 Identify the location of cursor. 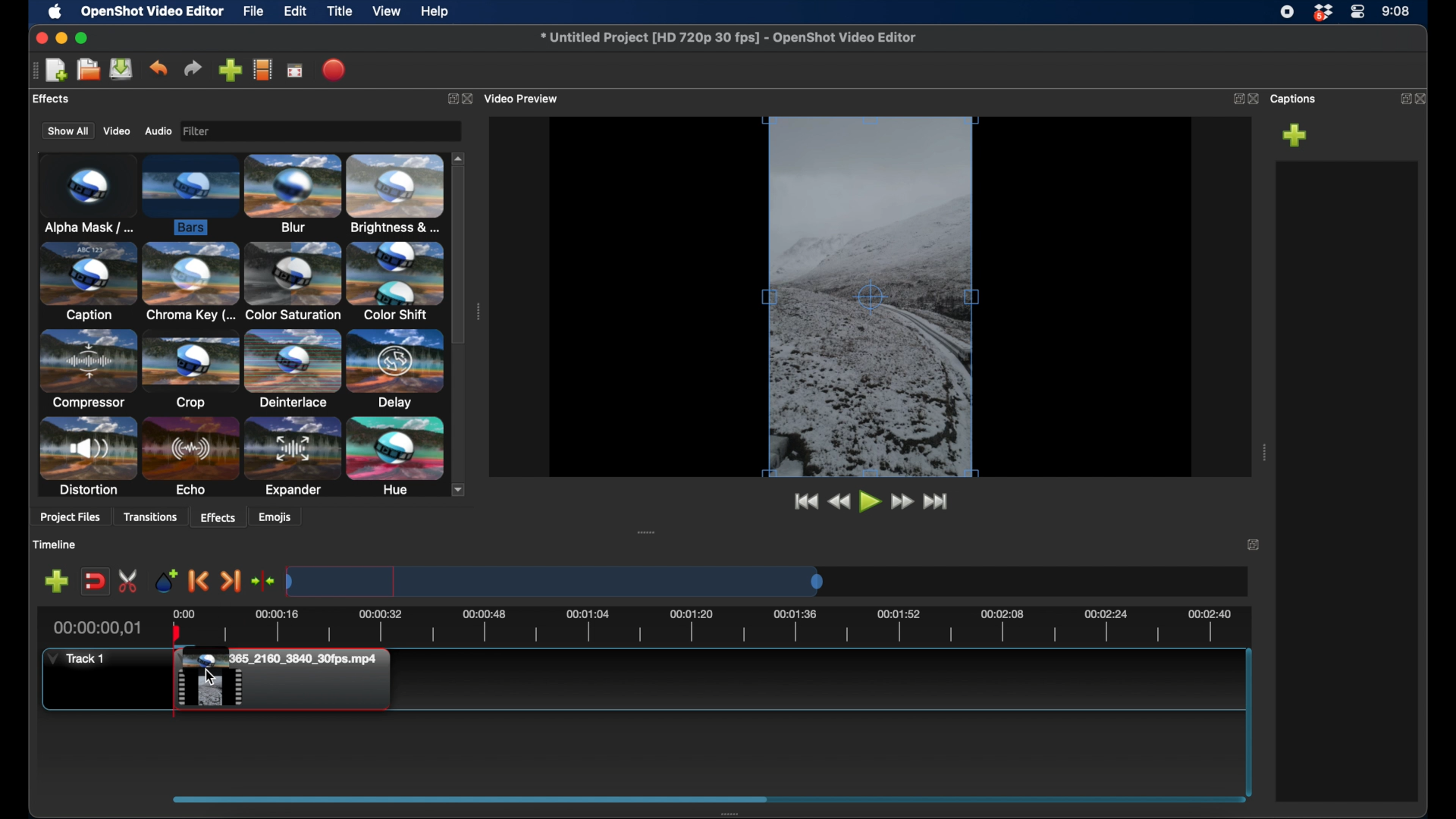
(212, 676).